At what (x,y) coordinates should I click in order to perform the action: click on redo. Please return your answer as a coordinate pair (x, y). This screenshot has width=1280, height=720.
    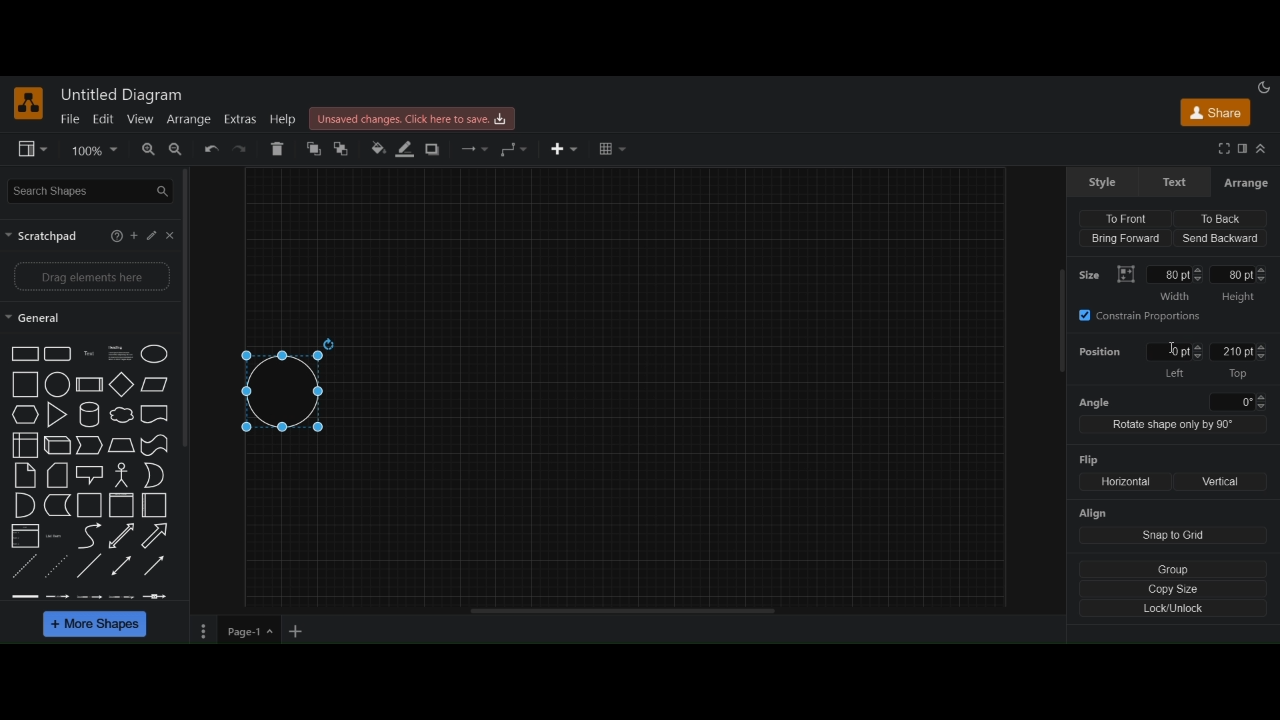
    Looking at the image, I should click on (244, 150).